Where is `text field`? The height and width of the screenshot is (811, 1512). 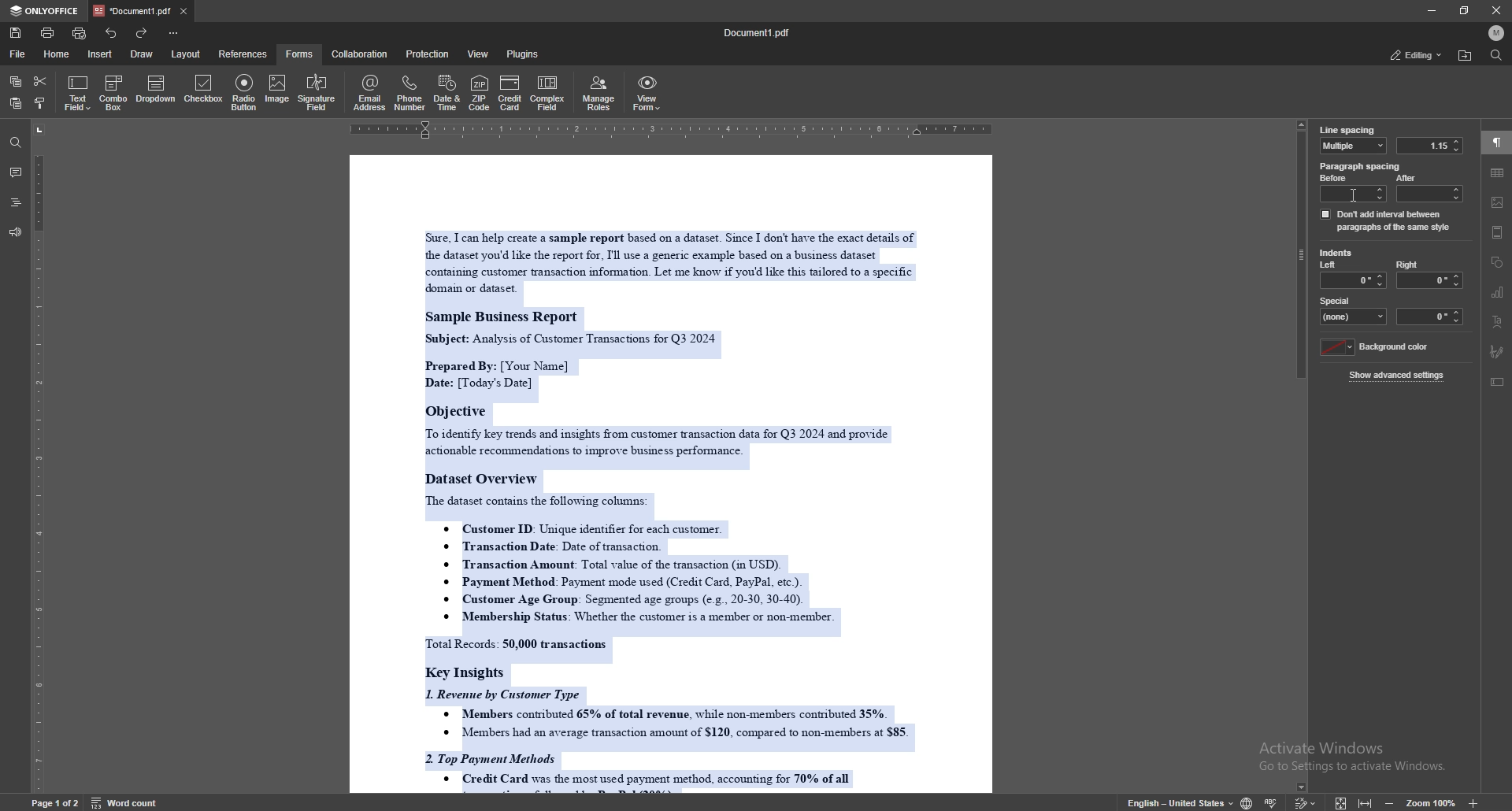 text field is located at coordinates (78, 93).